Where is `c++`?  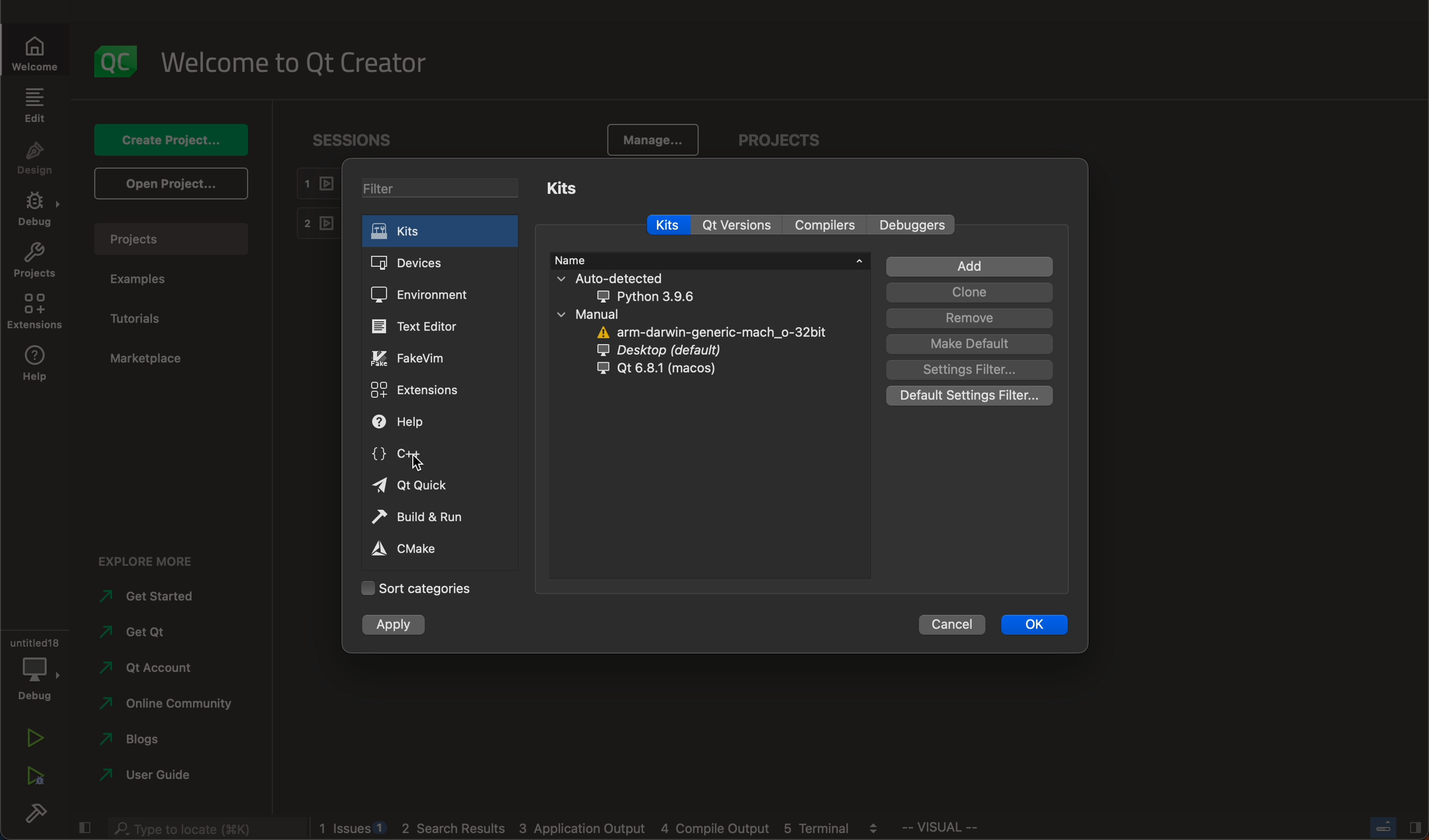
c++ is located at coordinates (410, 456).